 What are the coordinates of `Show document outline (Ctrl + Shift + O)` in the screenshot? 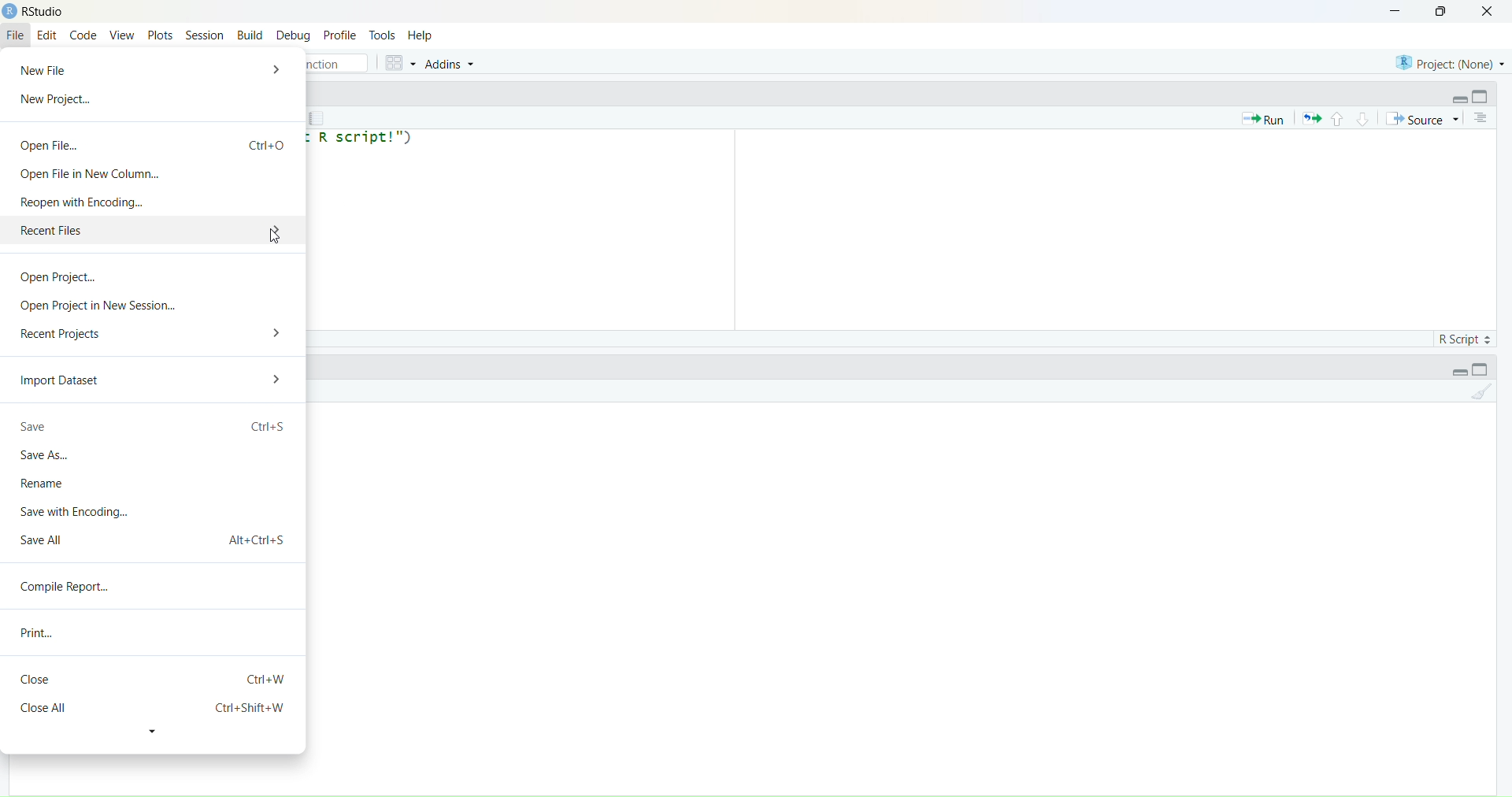 It's located at (1483, 118).